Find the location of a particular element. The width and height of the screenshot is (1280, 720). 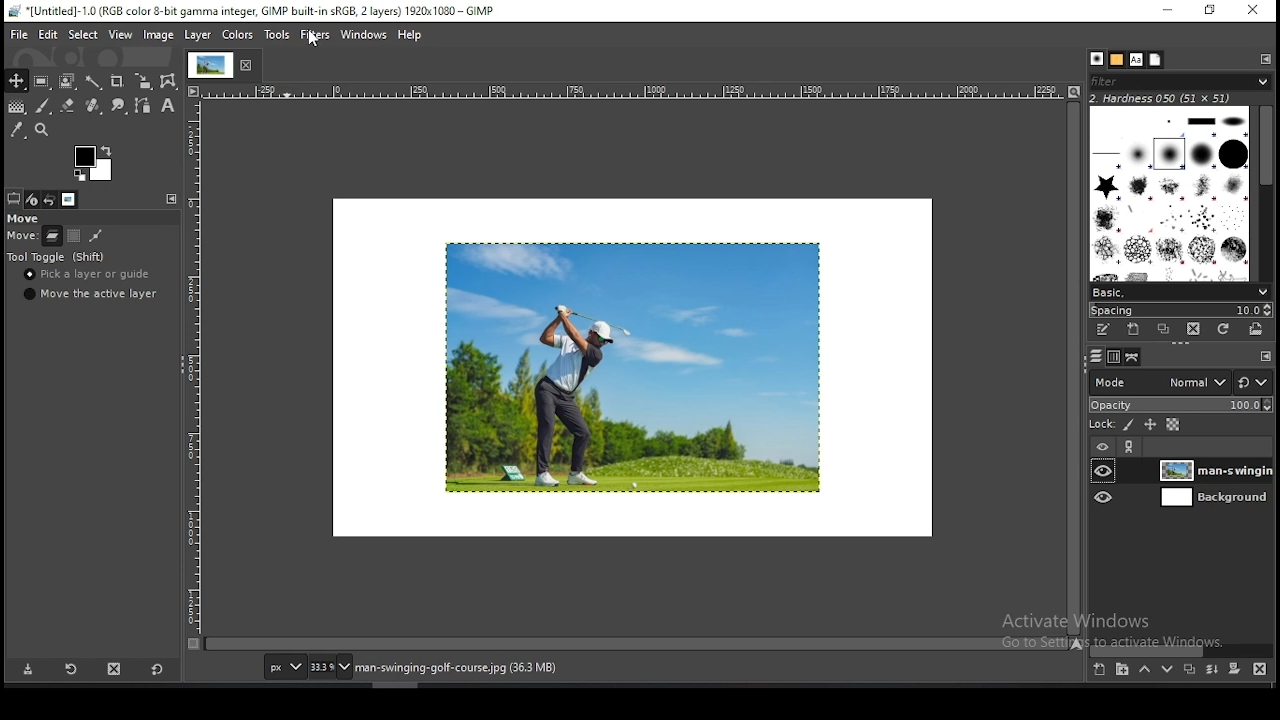

colors is located at coordinates (93, 163).